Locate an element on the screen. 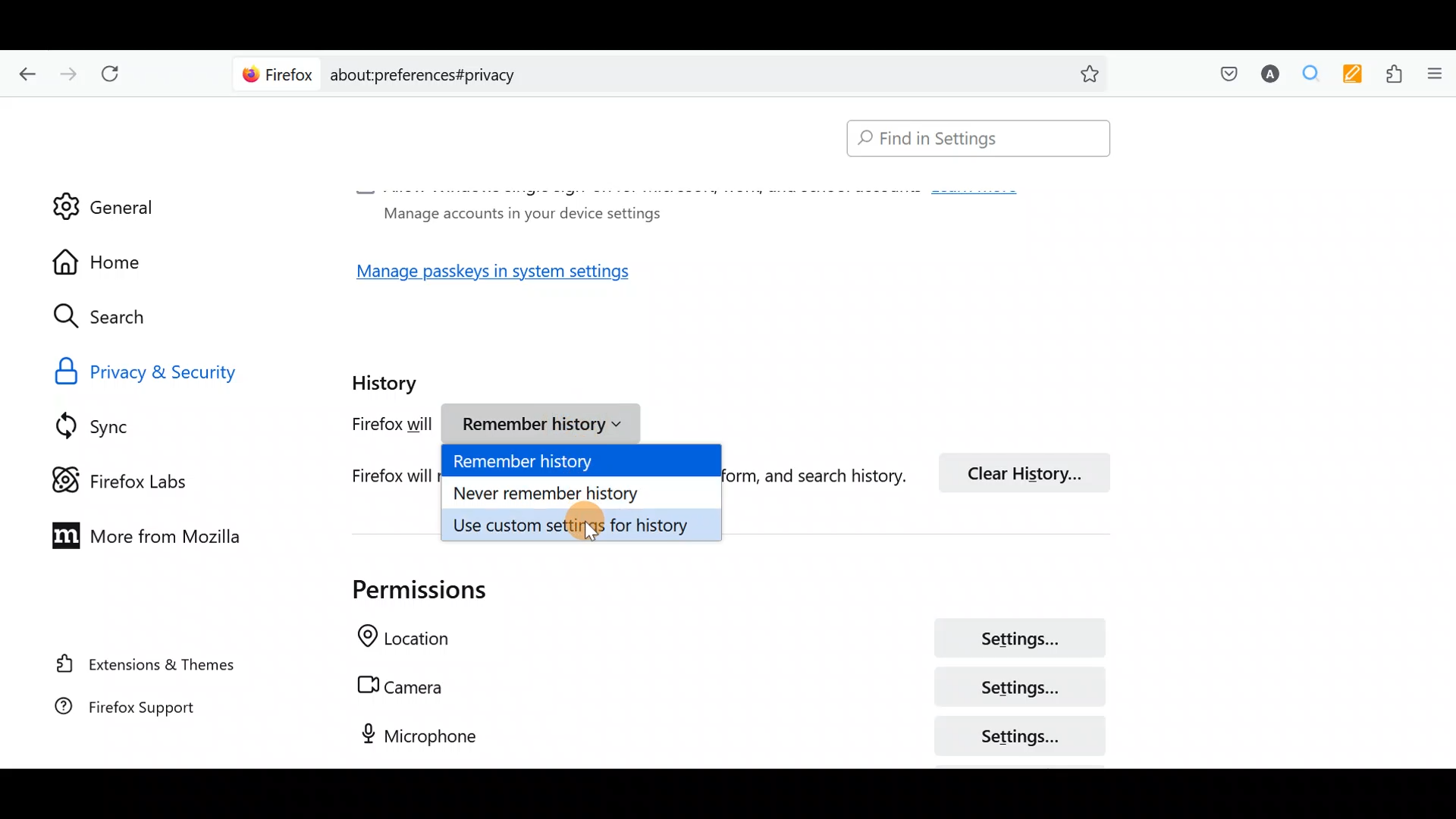 This screenshot has width=1456, height=819. Save to pocket is located at coordinates (1222, 73).